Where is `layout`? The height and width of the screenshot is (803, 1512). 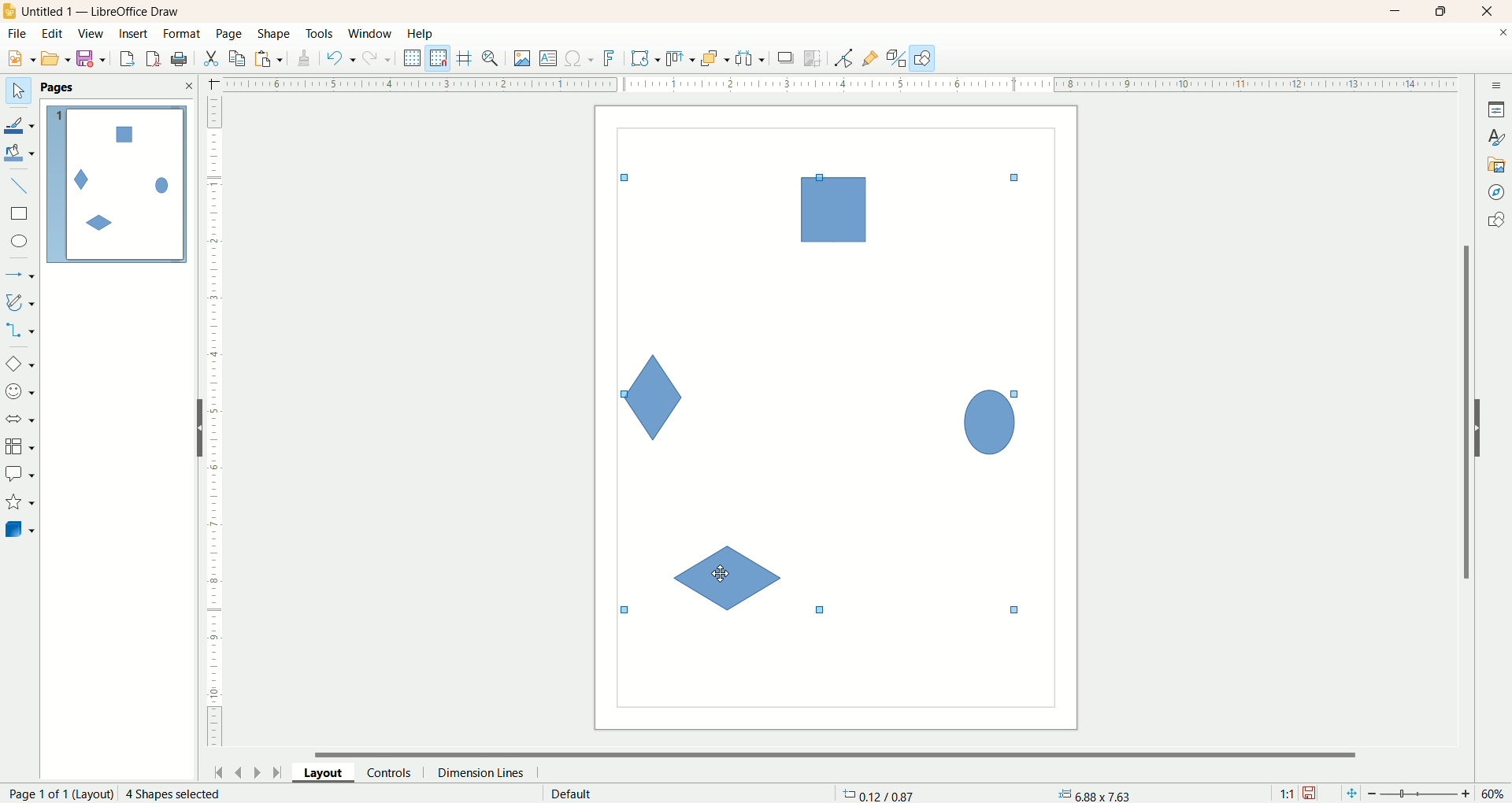
layout is located at coordinates (330, 772).